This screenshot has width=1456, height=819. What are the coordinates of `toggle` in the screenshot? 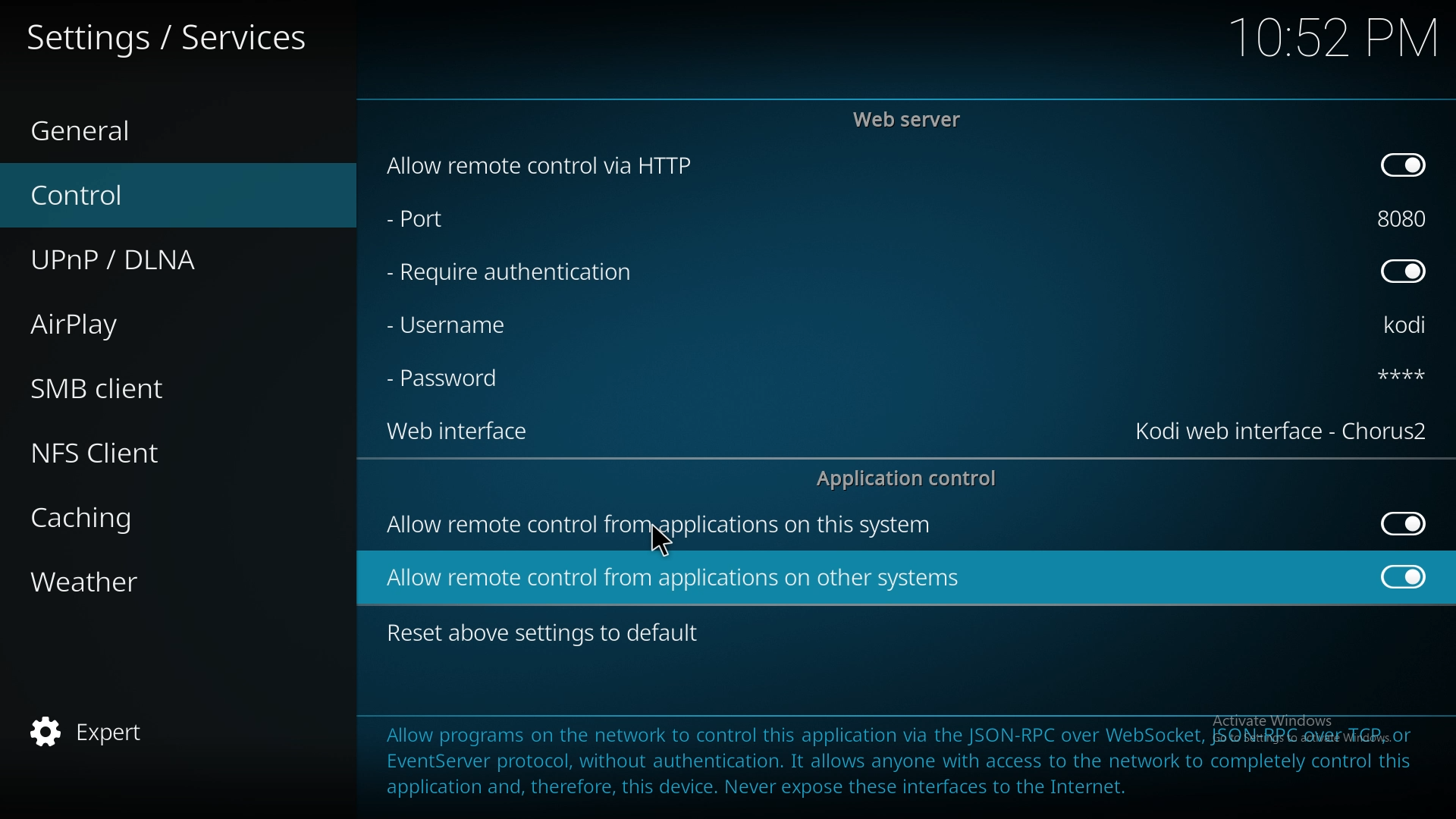 It's located at (1401, 165).